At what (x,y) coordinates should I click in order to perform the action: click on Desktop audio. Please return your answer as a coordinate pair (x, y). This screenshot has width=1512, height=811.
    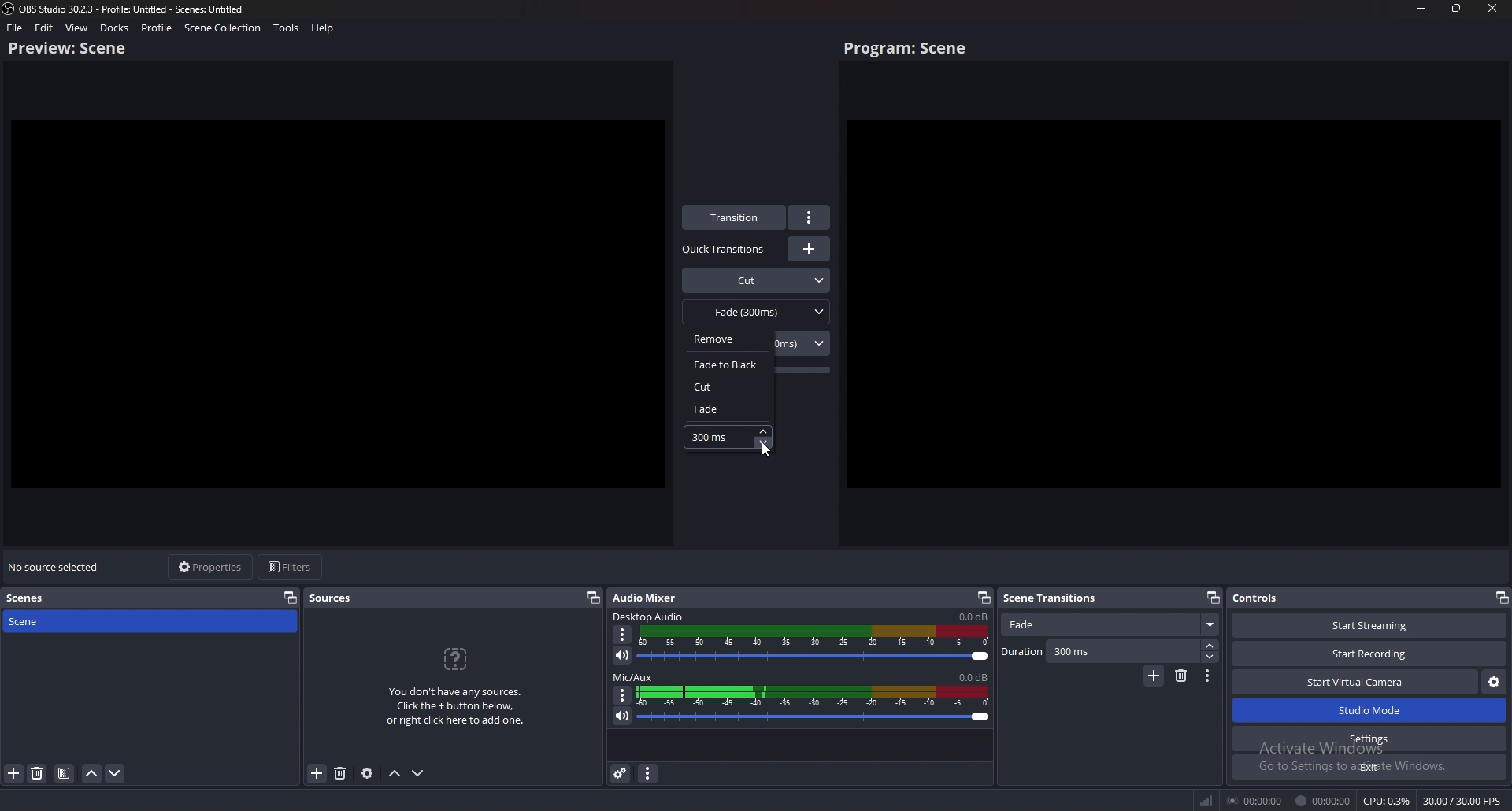
    Looking at the image, I should click on (972, 617).